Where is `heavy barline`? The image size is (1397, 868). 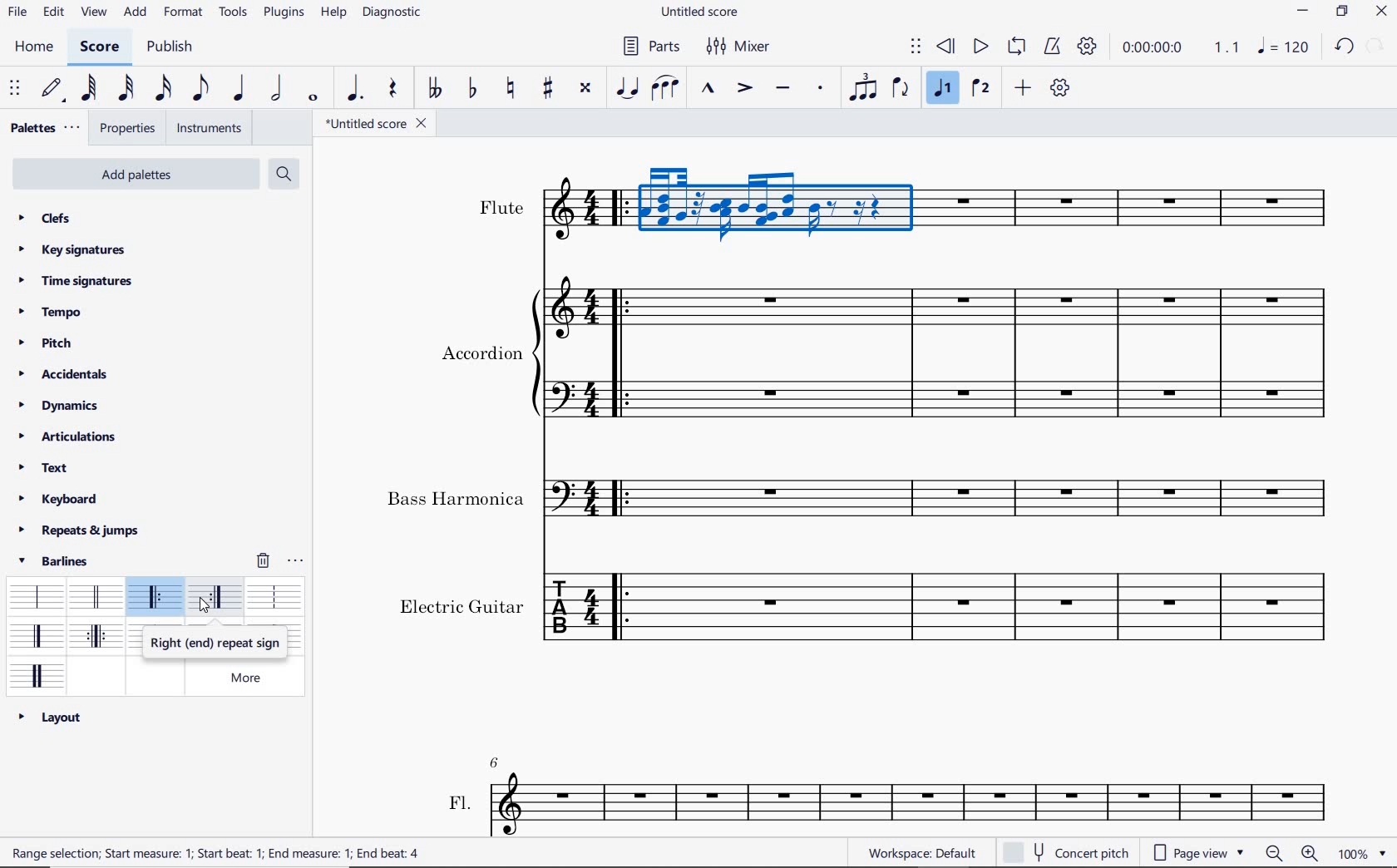
heavy barline is located at coordinates (97, 638).